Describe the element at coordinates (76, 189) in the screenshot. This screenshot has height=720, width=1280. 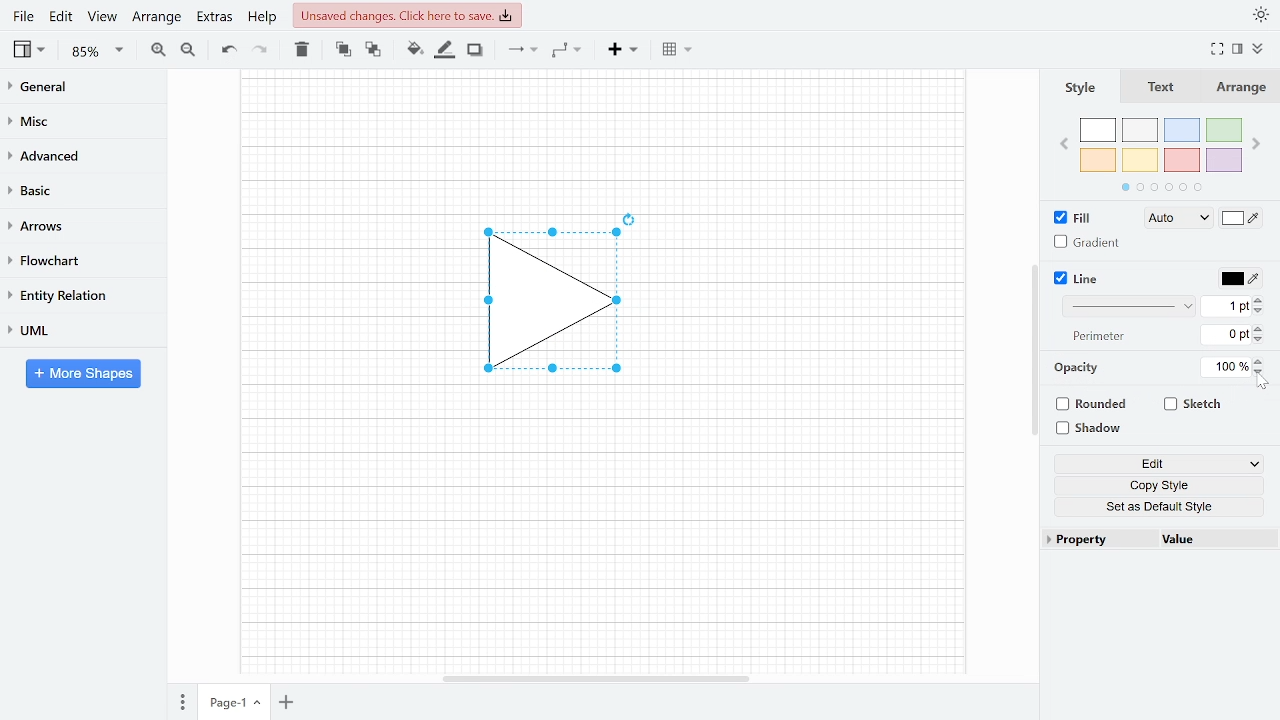
I see `basic` at that location.